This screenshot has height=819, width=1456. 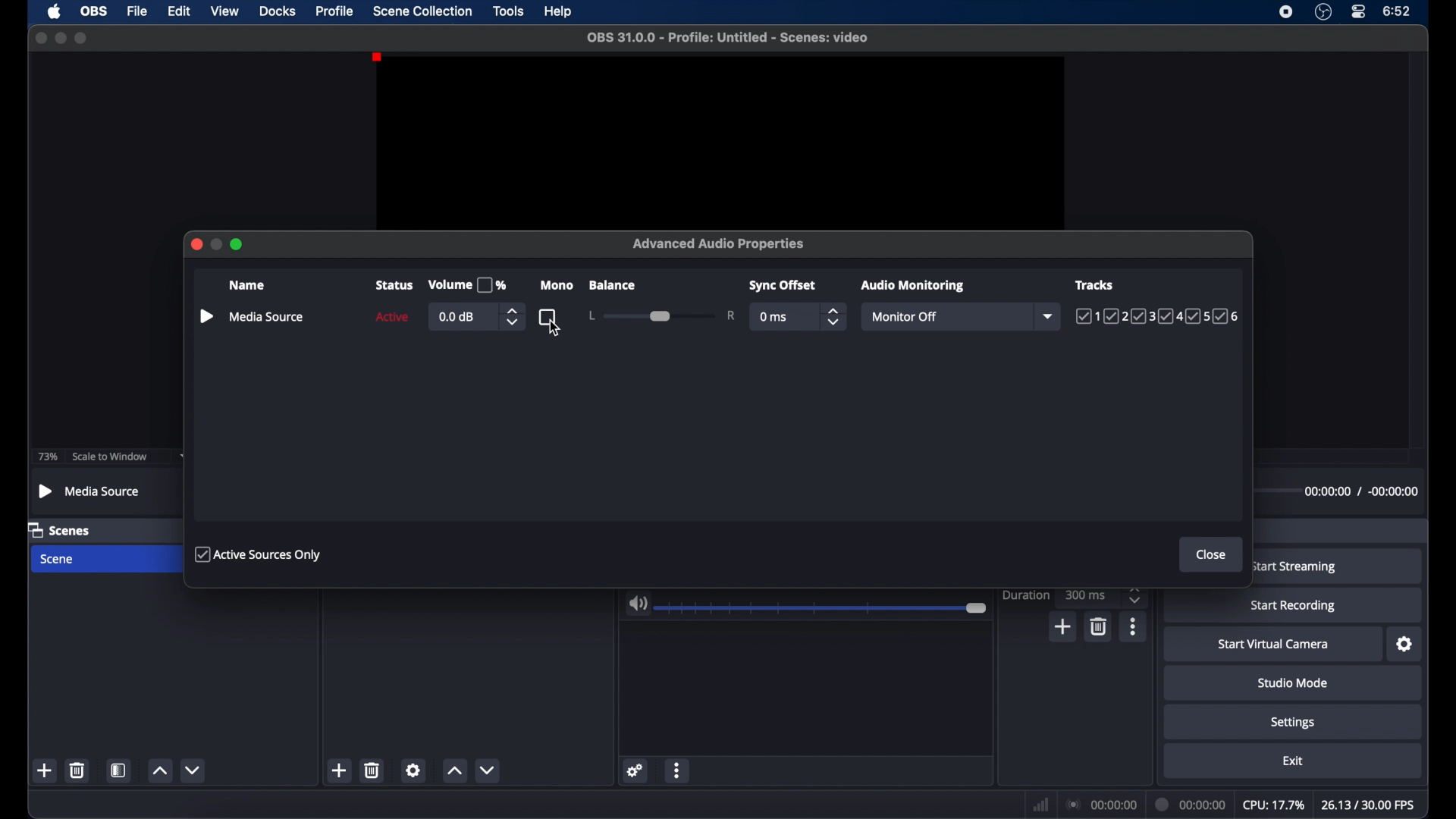 What do you see at coordinates (1405, 645) in the screenshot?
I see `settings` at bounding box center [1405, 645].